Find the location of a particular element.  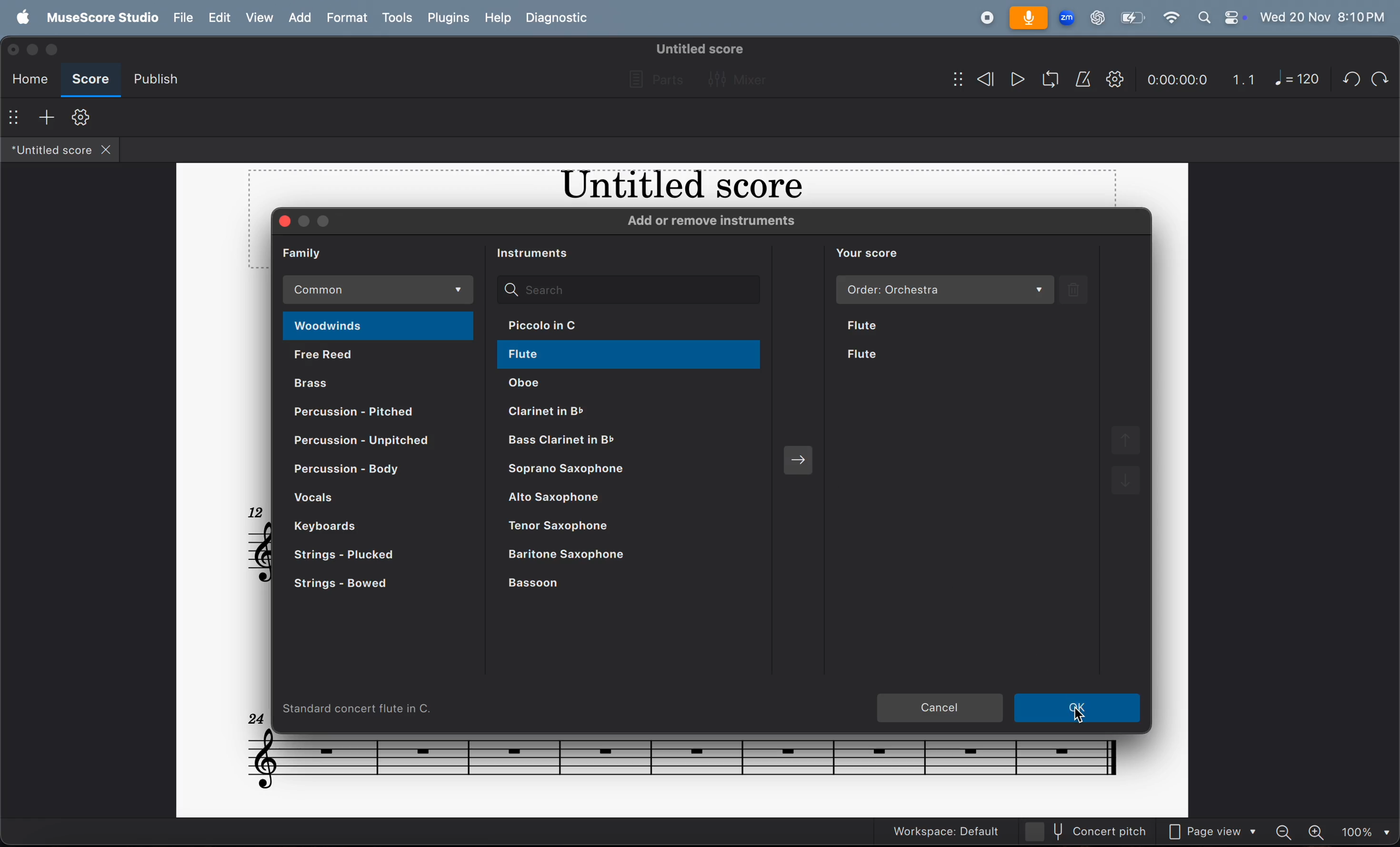

notes is located at coordinates (677, 760).